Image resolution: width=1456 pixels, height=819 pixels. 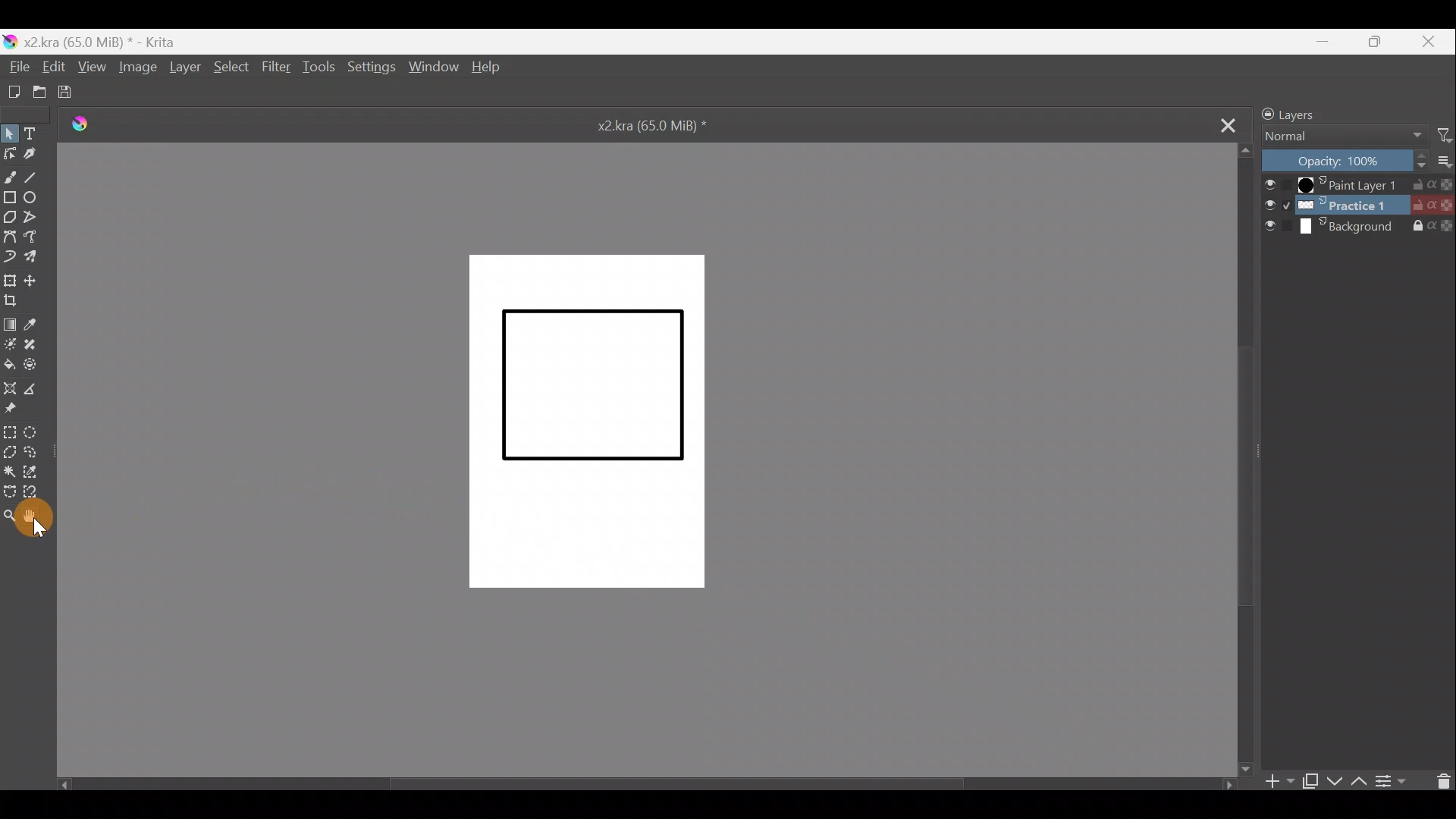 What do you see at coordinates (231, 71) in the screenshot?
I see `Select` at bounding box center [231, 71].